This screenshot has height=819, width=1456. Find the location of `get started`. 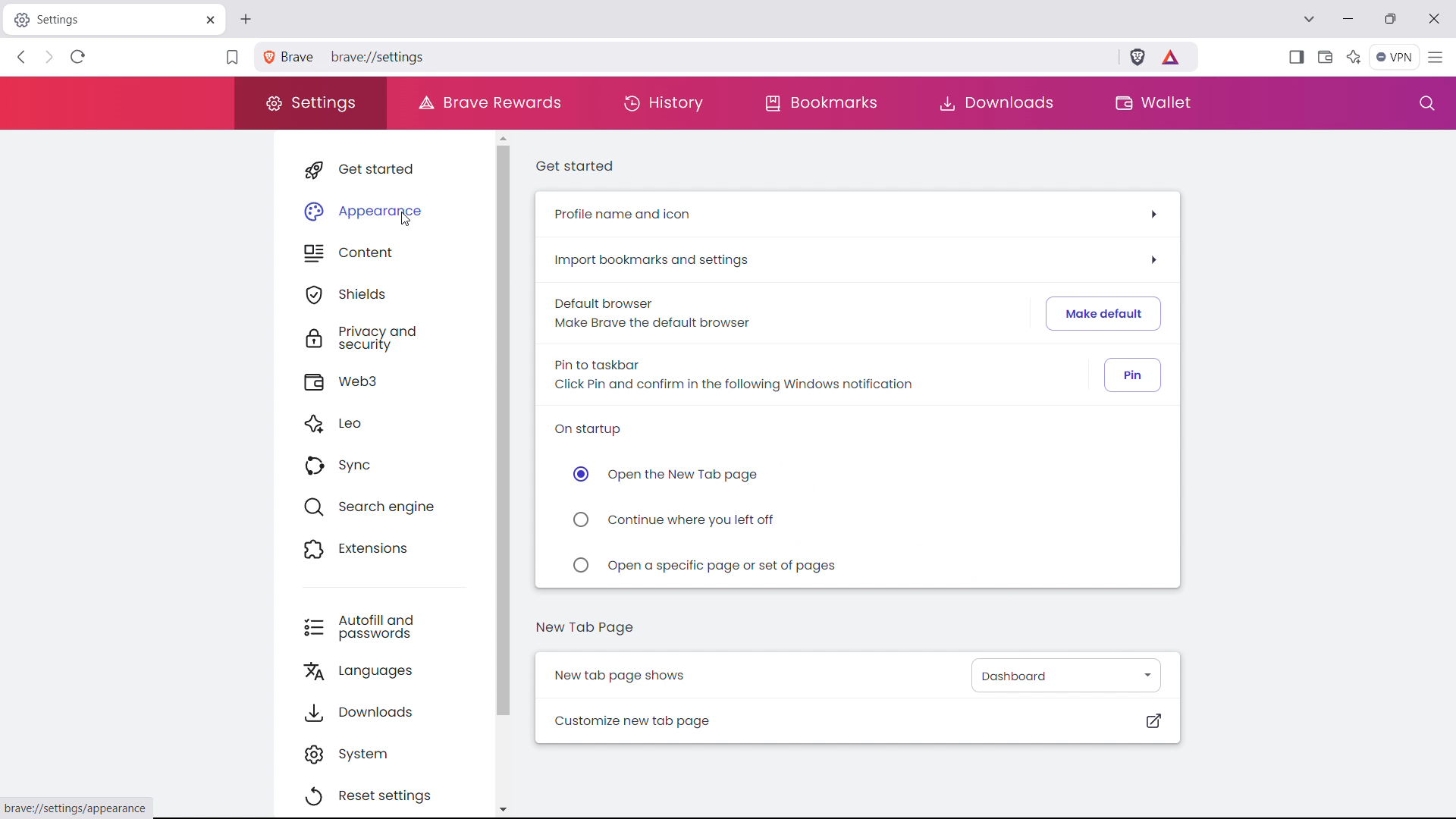

get started is located at coordinates (576, 165).